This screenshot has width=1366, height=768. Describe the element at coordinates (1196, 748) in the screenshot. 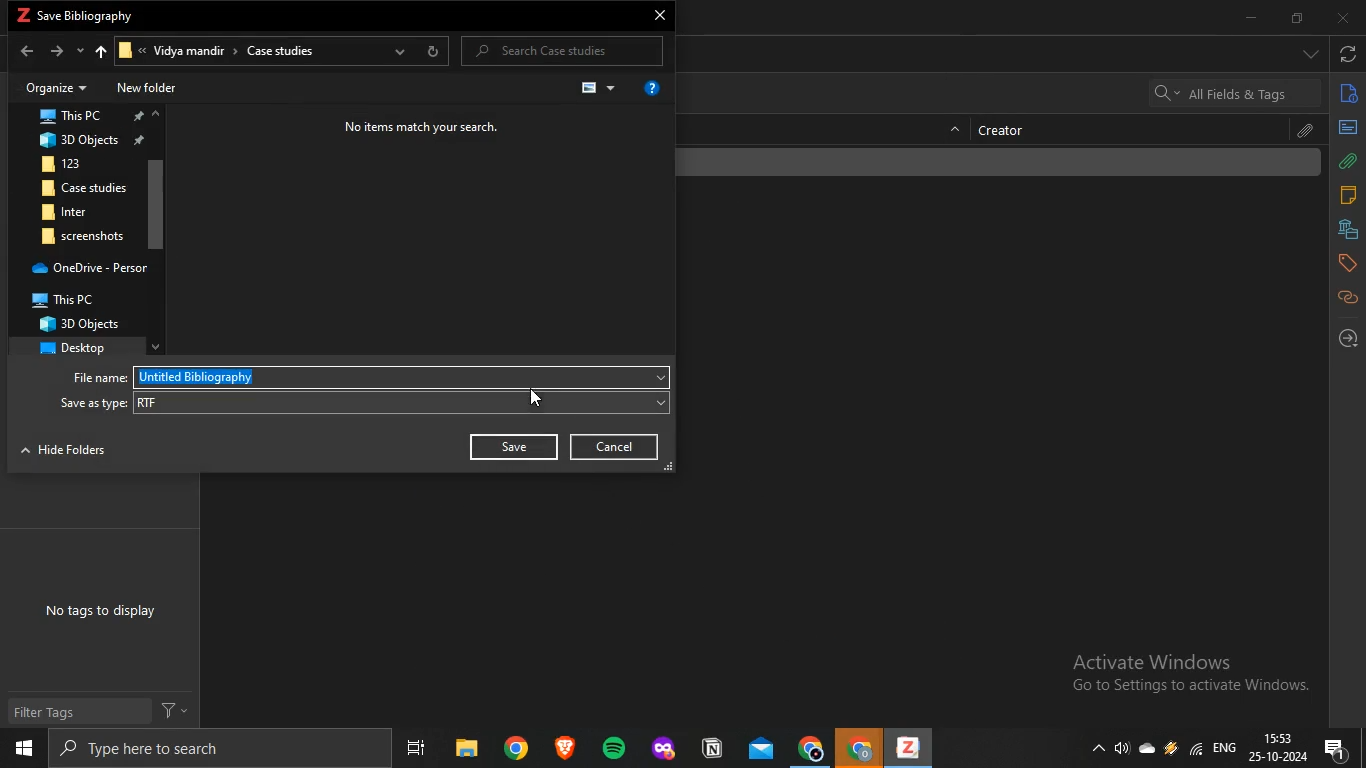

I see `wifi` at that location.